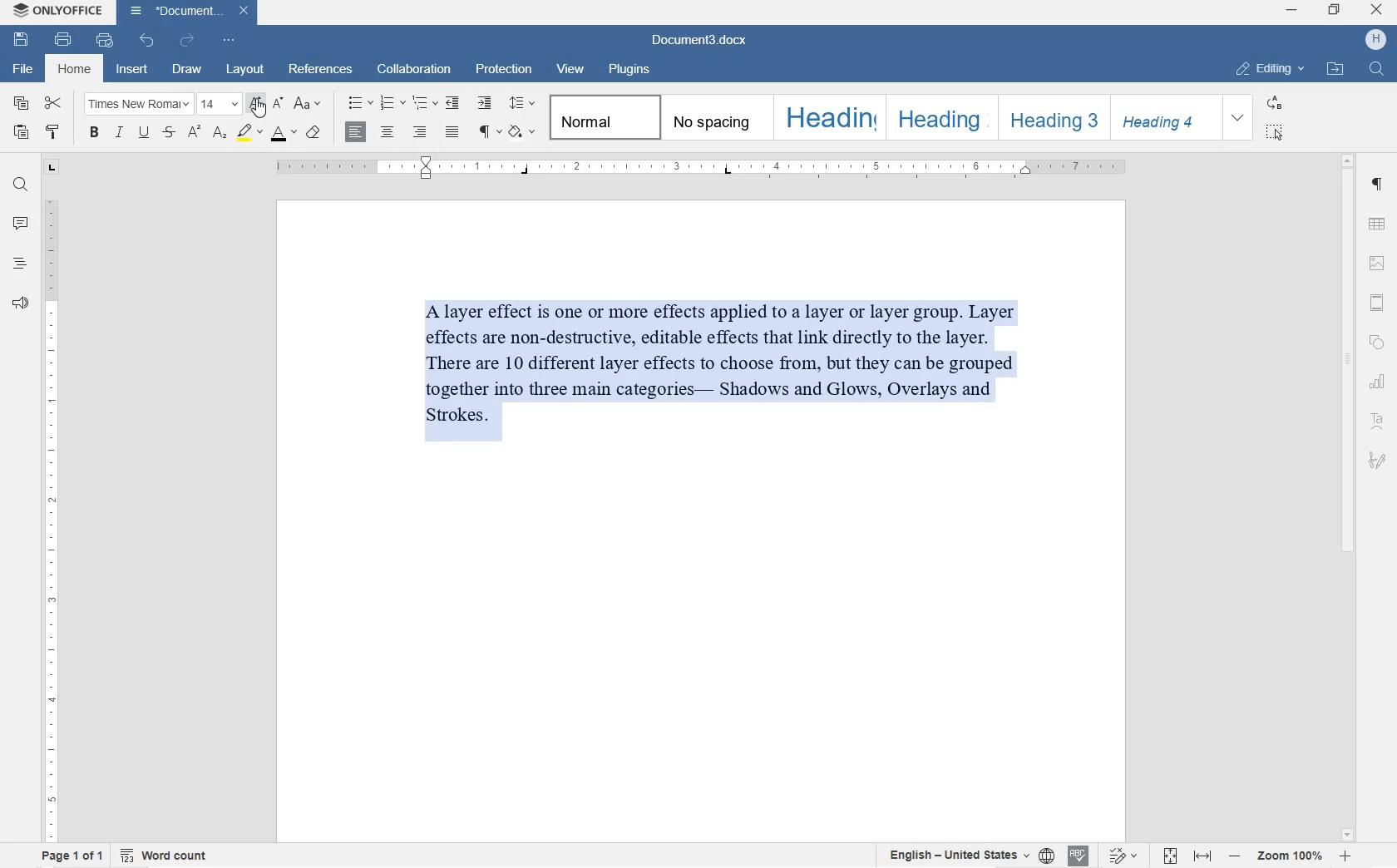  Describe the element at coordinates (1378, 463) in the screenshot. I see `SIGNATURE` at that location.